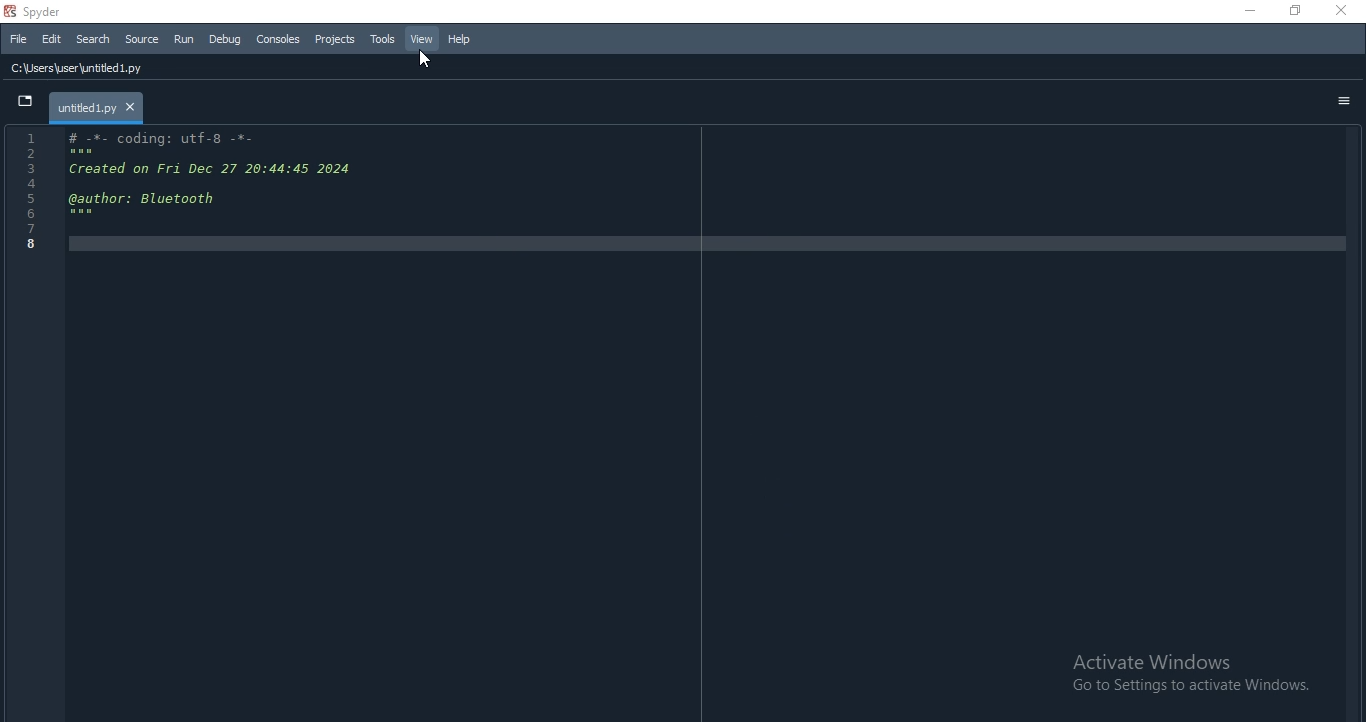 This screenshot has height=722, width=1366. Describe the element at coordinates (19, 37) in the screenshot. I see `file` at that location.